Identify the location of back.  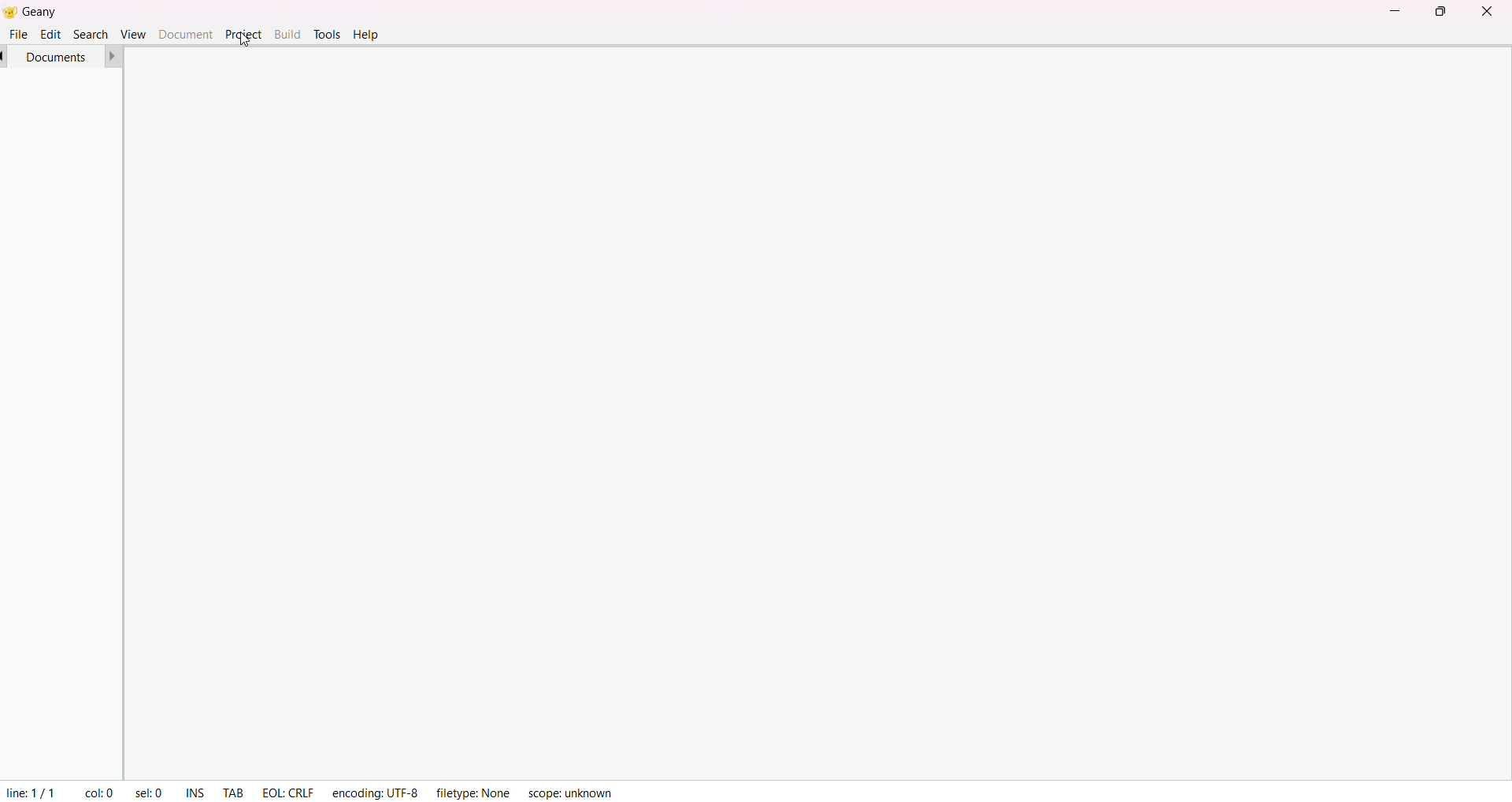
(5, 56).